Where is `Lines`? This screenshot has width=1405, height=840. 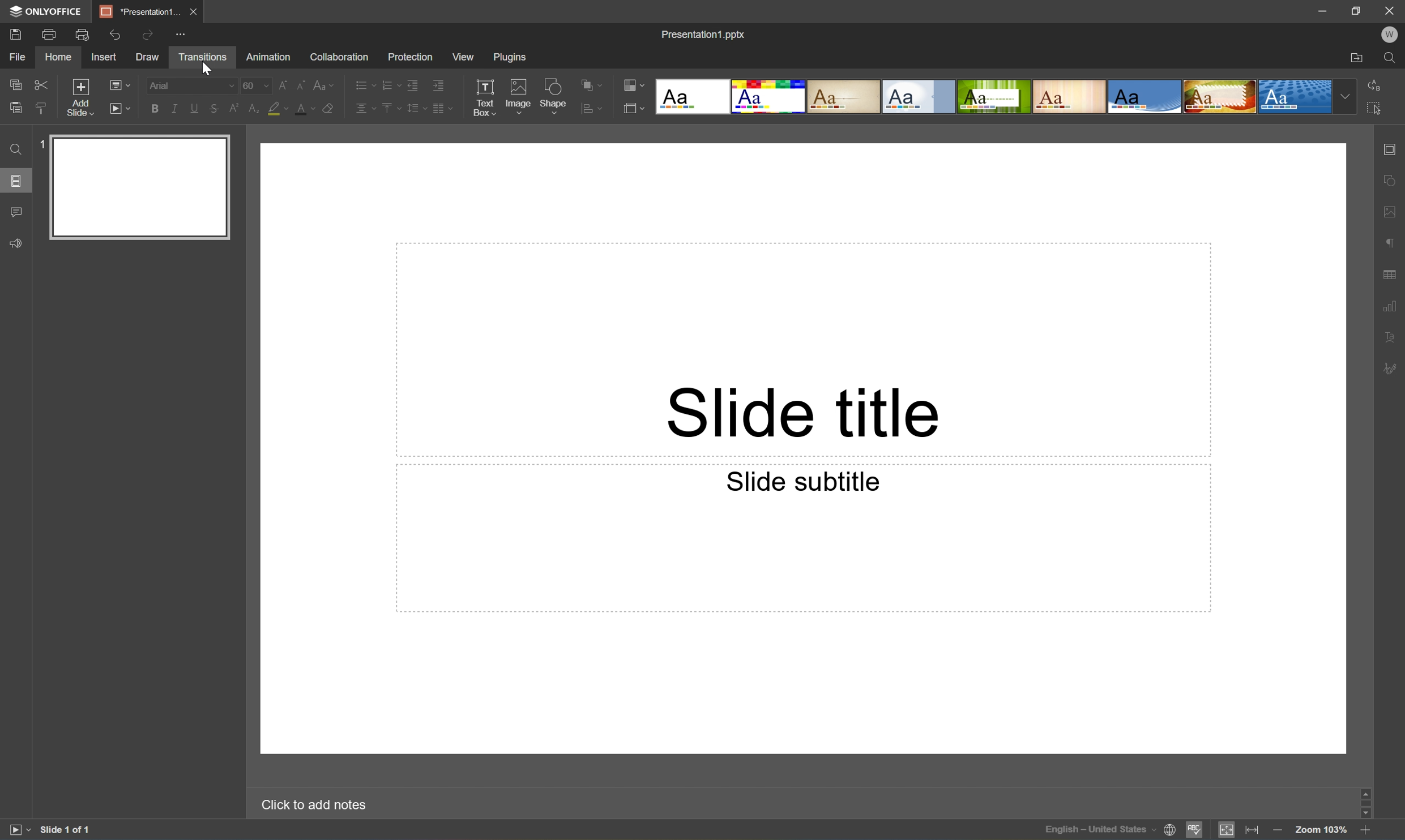 Lines is located at coordinates (1070, 97).